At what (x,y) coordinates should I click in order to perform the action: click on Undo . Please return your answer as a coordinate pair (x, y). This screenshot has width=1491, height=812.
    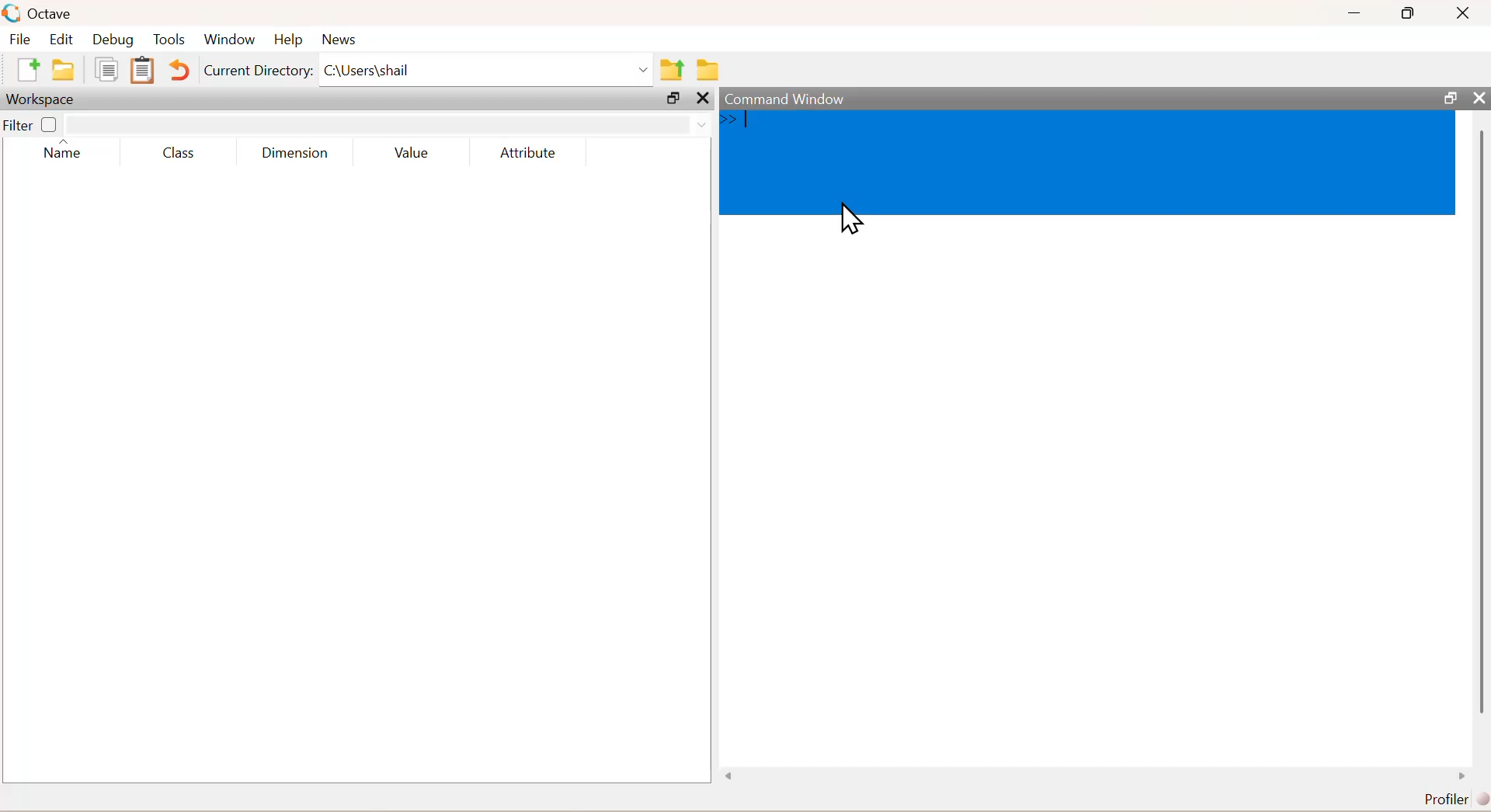
    Looking at the image, I should click on (179, 70).